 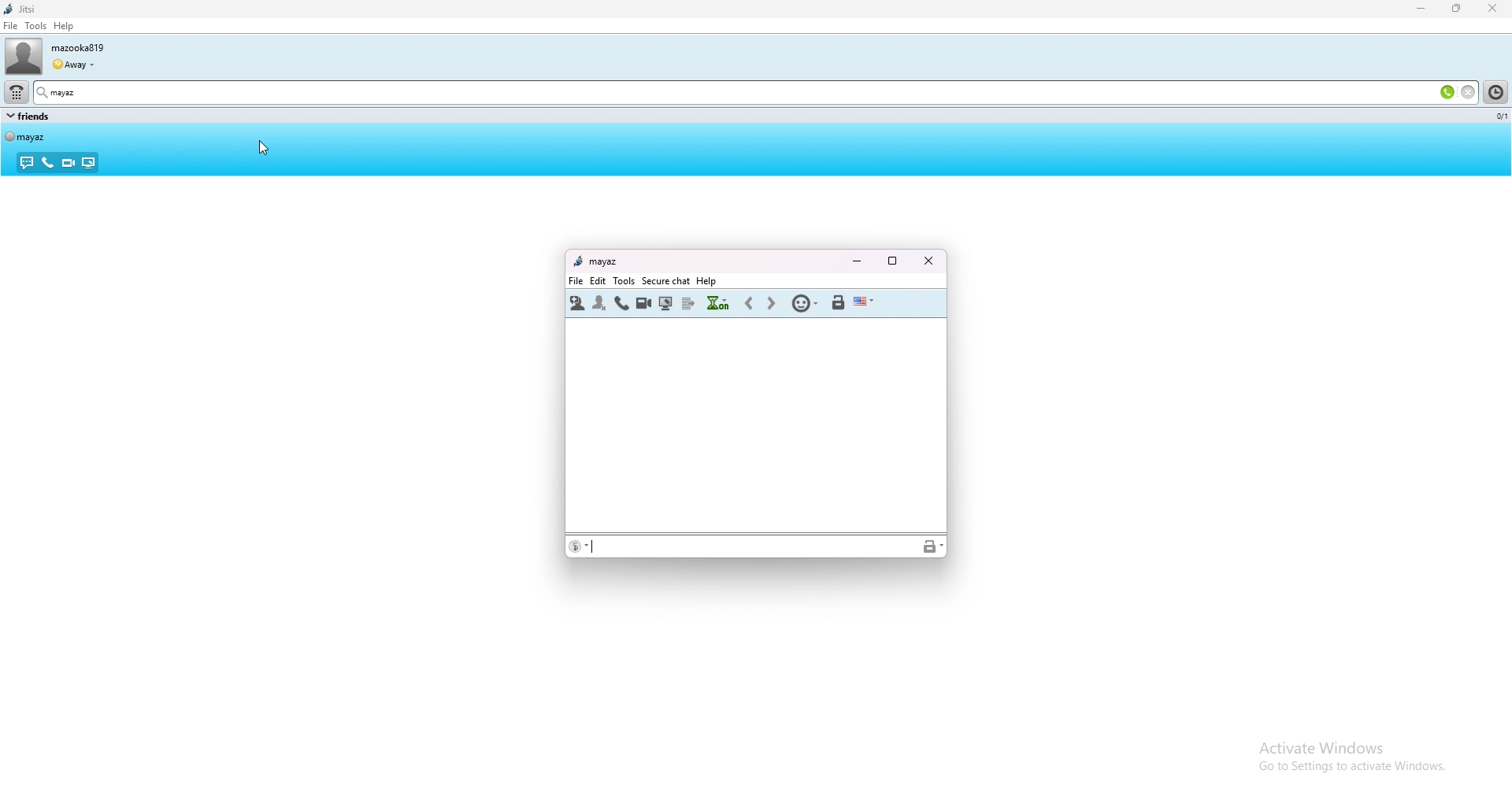 What do you see at coordinates (1421, 9) in the screenshot?
I see `minimize` at bounding box center [1421, 9].